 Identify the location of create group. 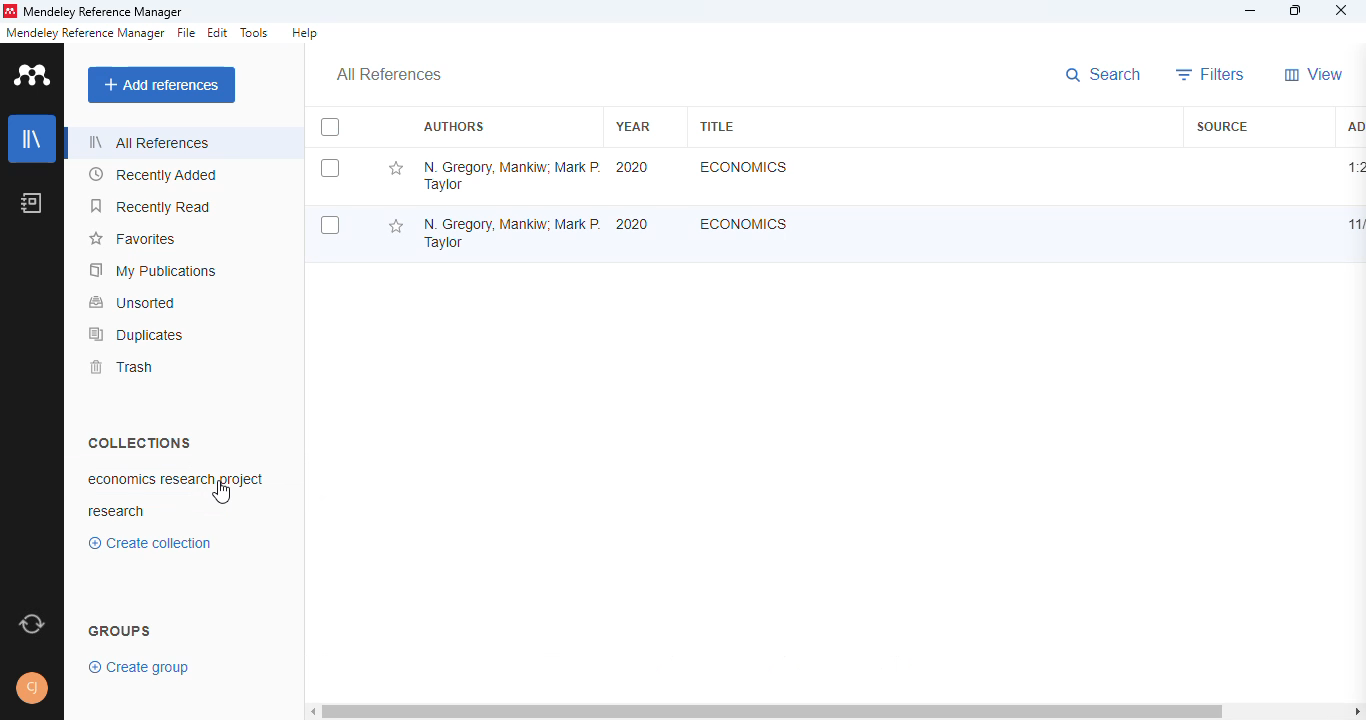
(141, 666).